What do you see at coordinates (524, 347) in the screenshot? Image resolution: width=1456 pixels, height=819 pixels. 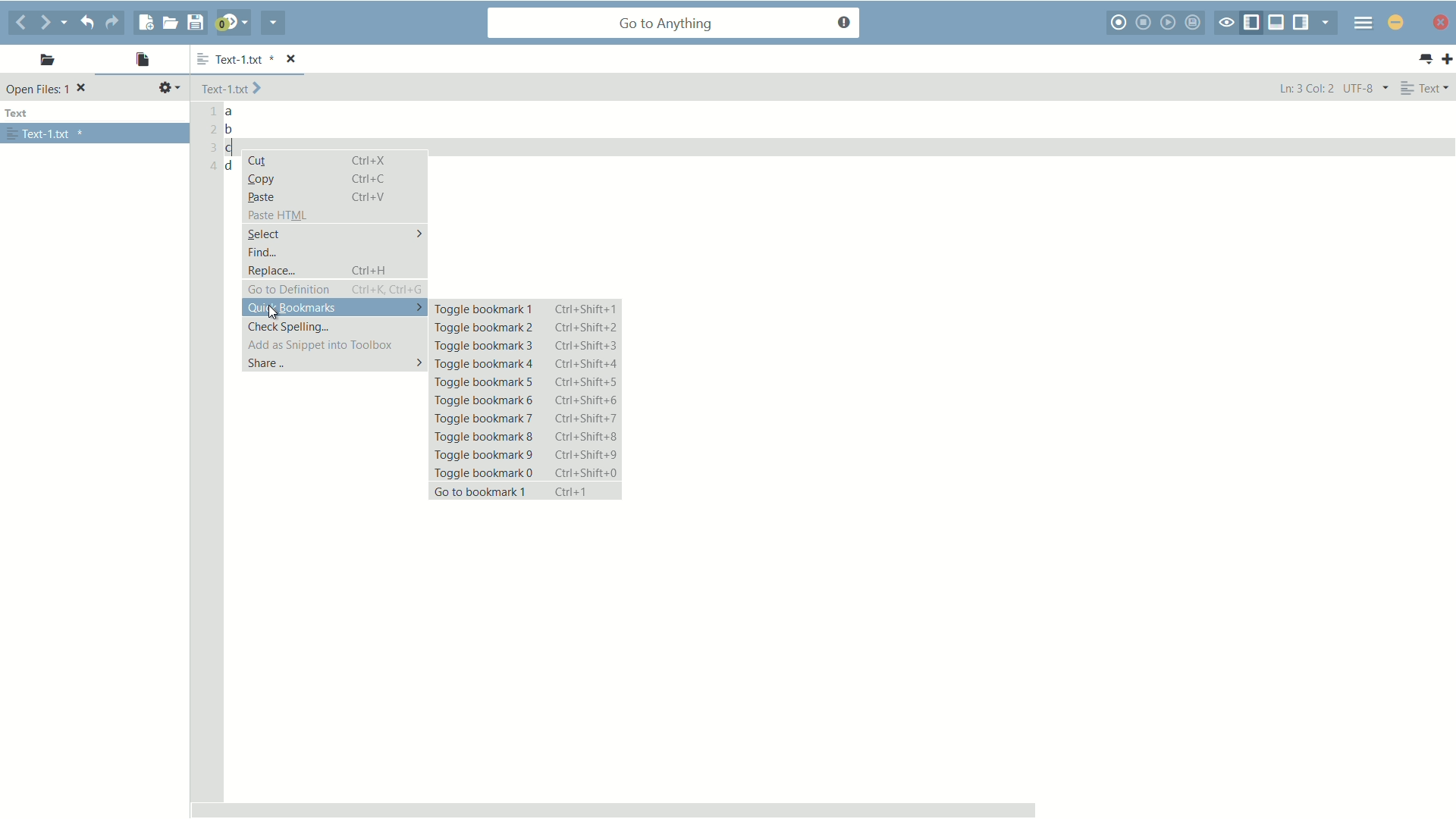 I see `toggle bookmark 3` at bounding box center [524, 347].